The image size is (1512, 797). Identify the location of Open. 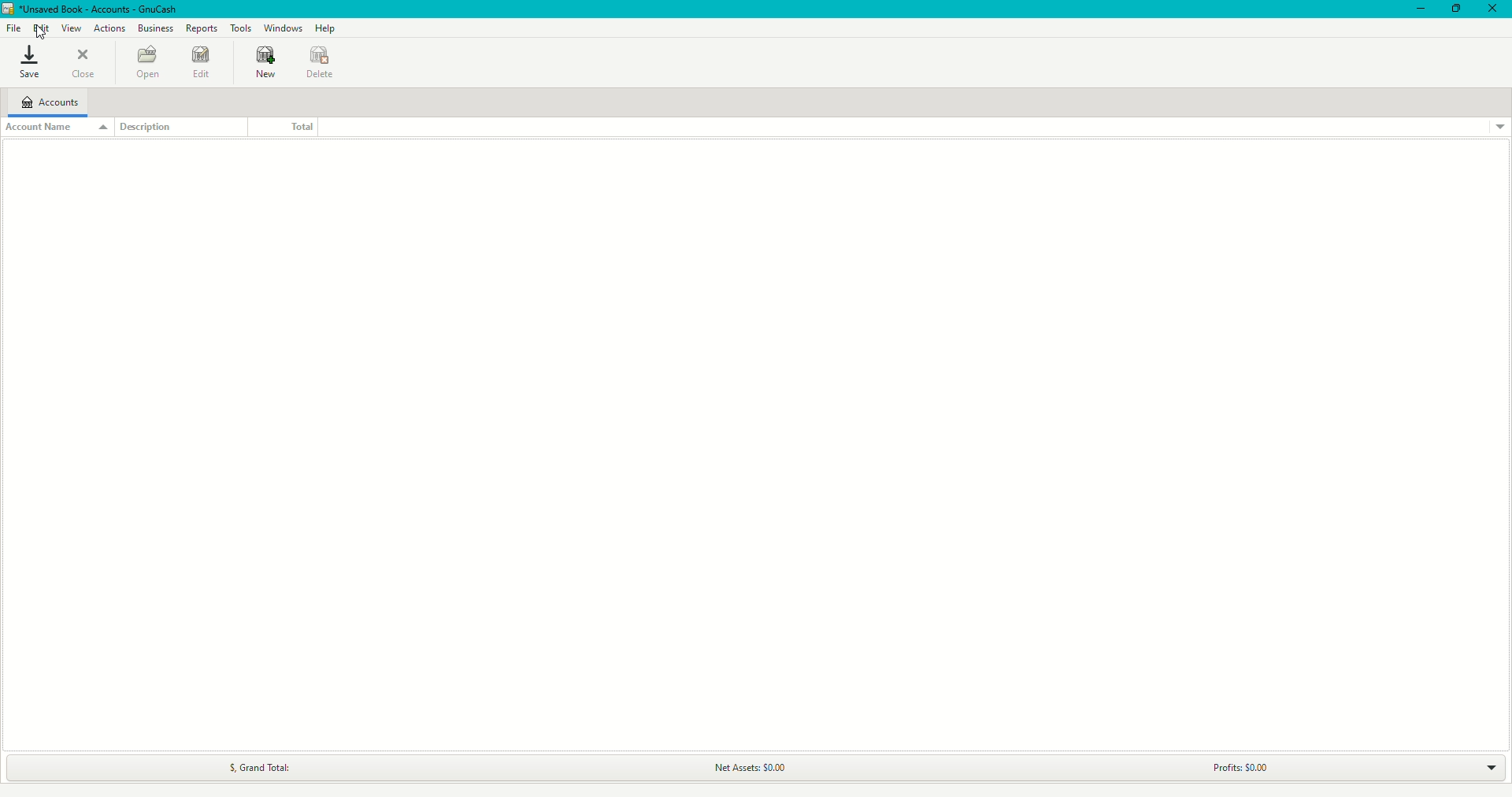
(144, 61).